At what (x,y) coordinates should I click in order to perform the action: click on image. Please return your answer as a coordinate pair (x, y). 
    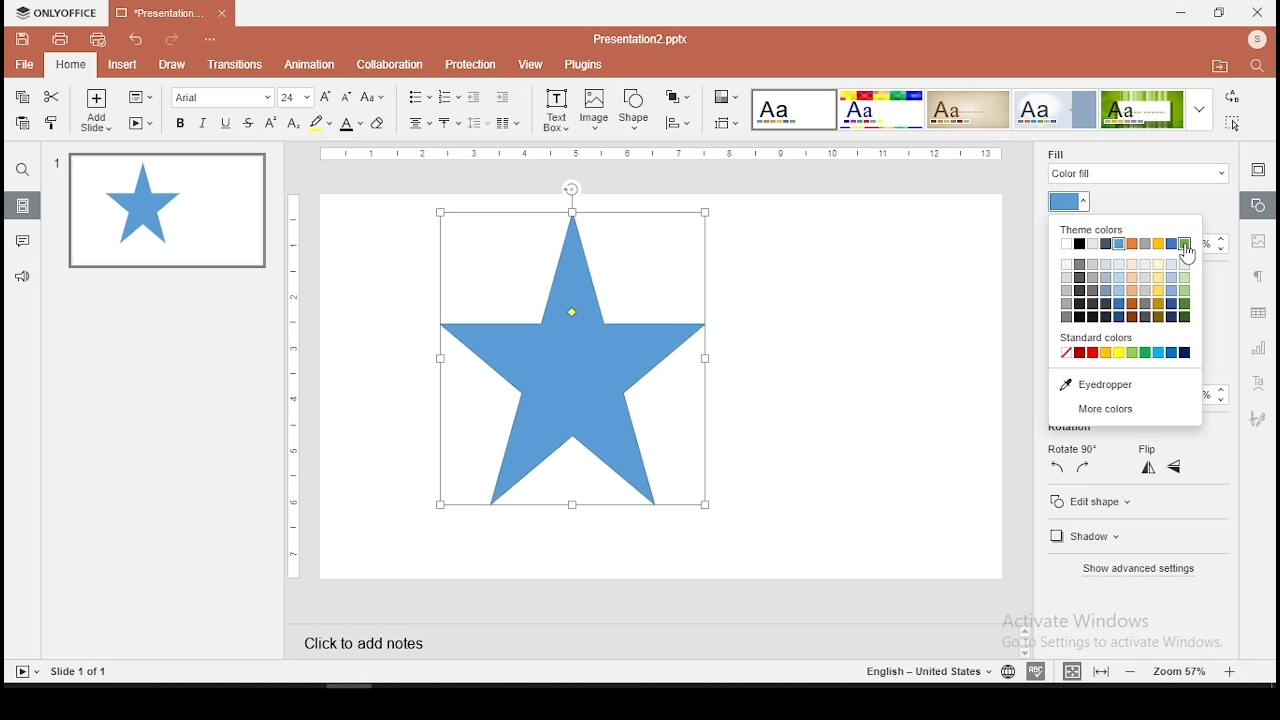
    Looking at the image, I should click on (595, 109).